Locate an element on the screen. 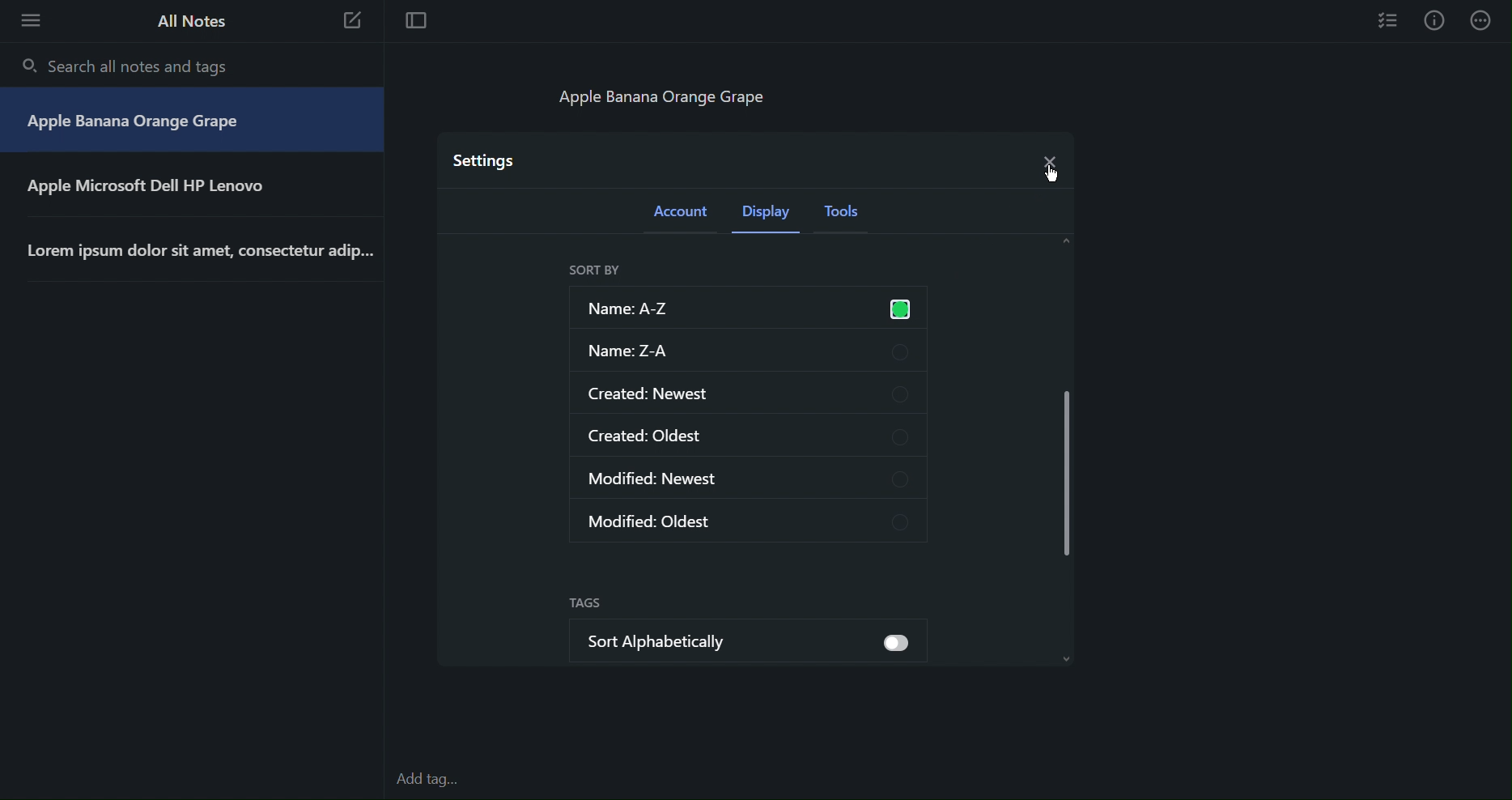 The image size is (1512, 800). Modified: Newest is located at coordinates (747, 479).